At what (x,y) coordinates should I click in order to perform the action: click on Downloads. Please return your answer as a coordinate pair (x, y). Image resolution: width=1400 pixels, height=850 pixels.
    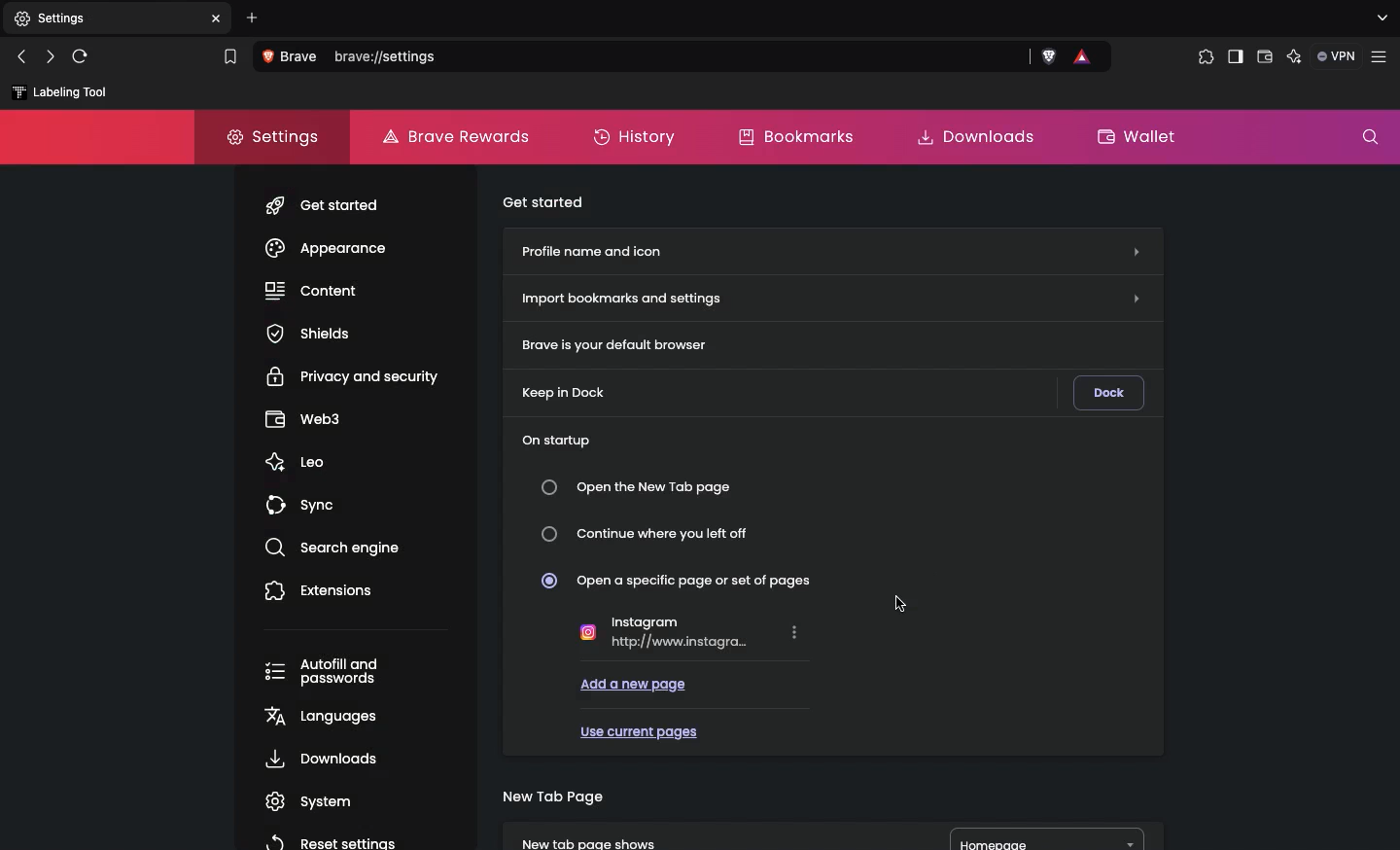
    Looking at the image, I should click on (968, 135).